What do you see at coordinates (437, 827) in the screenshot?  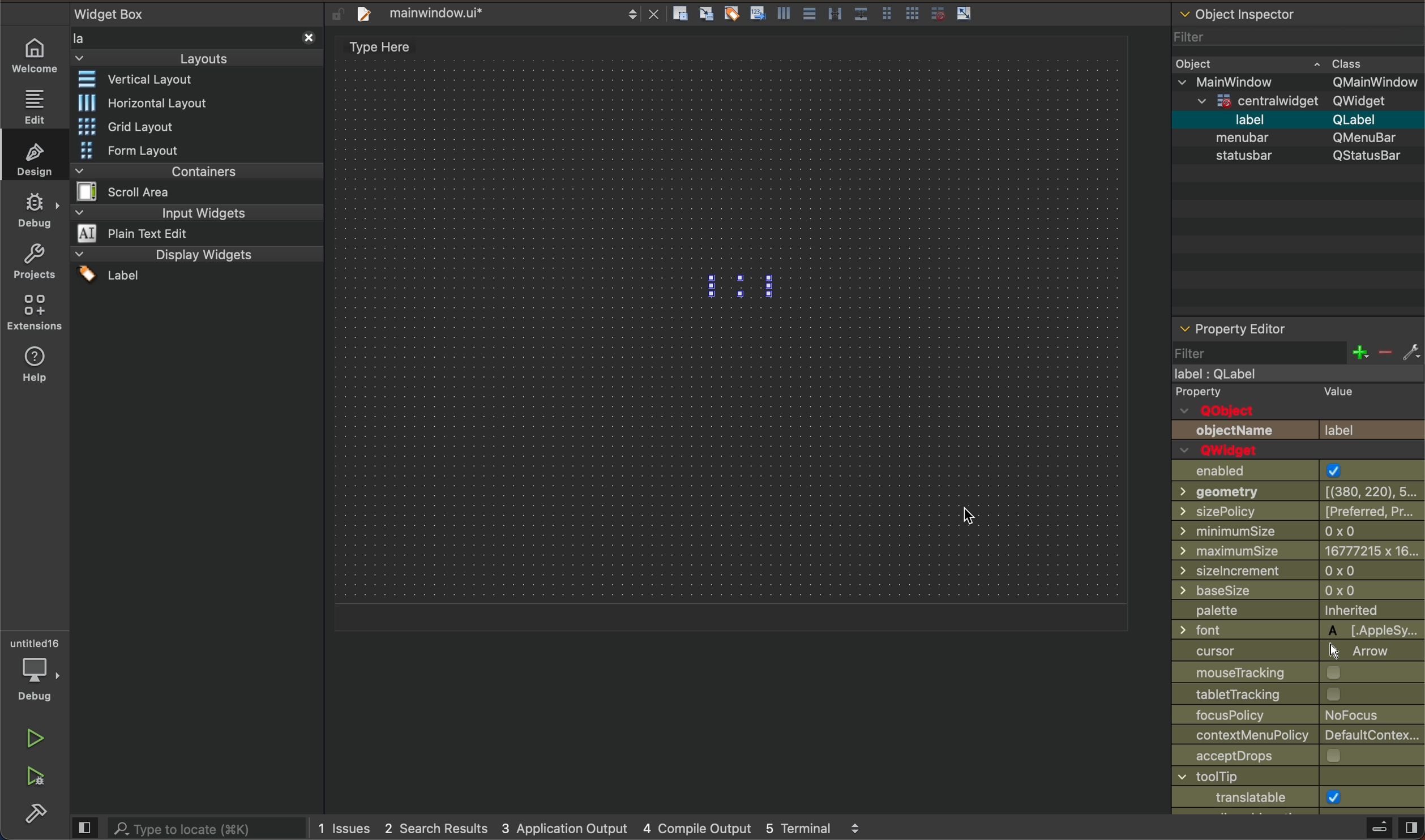 I see `2 search results` at bounding box center [437, 827].